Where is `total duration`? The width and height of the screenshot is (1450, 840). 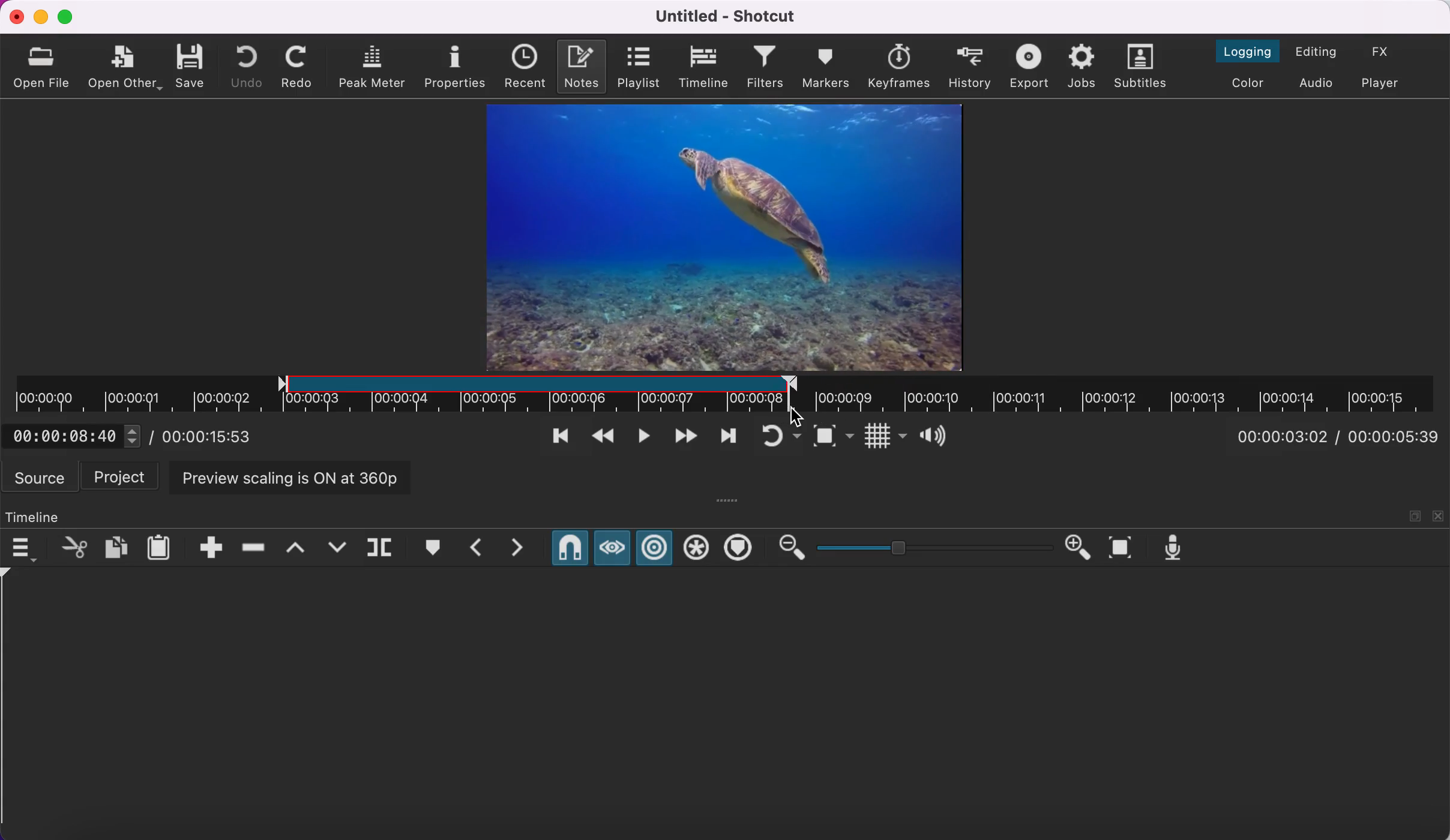 total duration is located at coordinates (1397, 438).